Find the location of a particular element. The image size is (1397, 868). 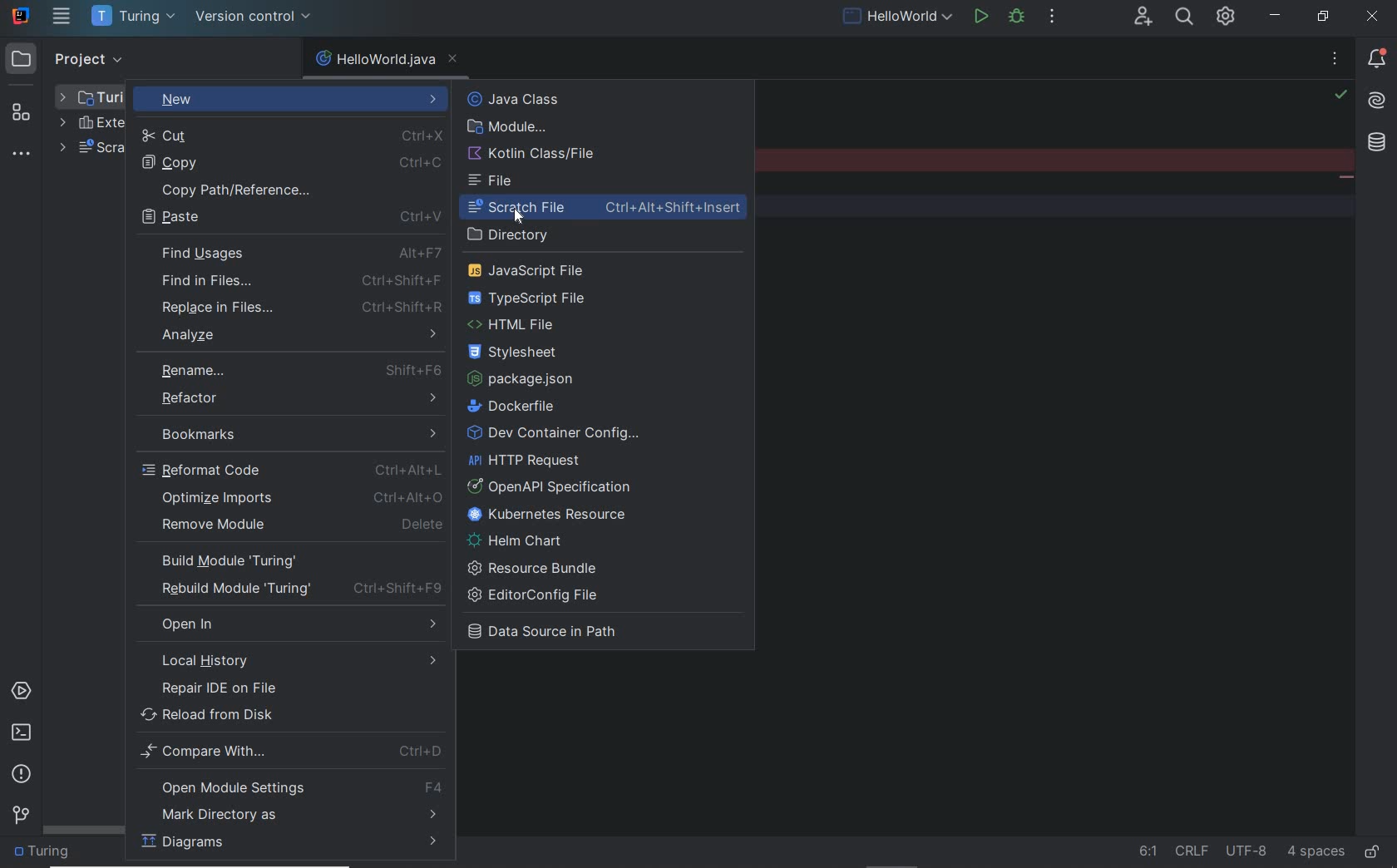

CLOSE is located at coordinates (1375, 16).